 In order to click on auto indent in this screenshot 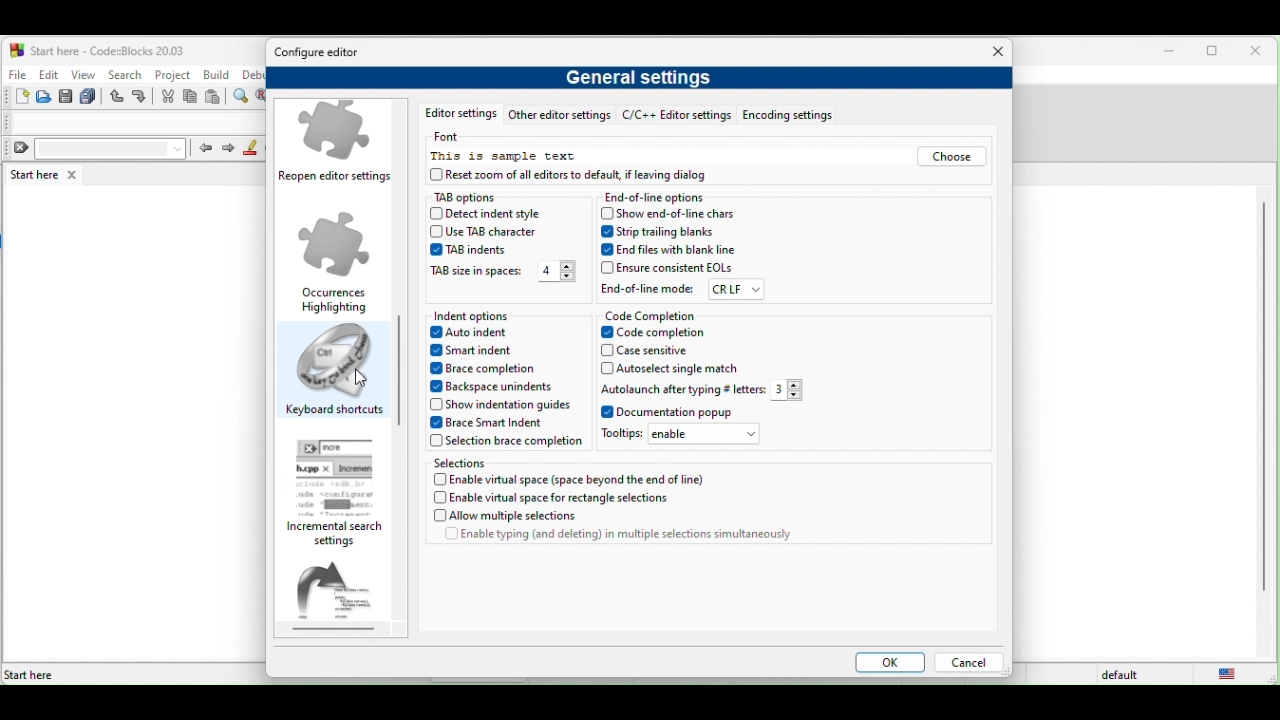, I will do `click(476, 334)`.